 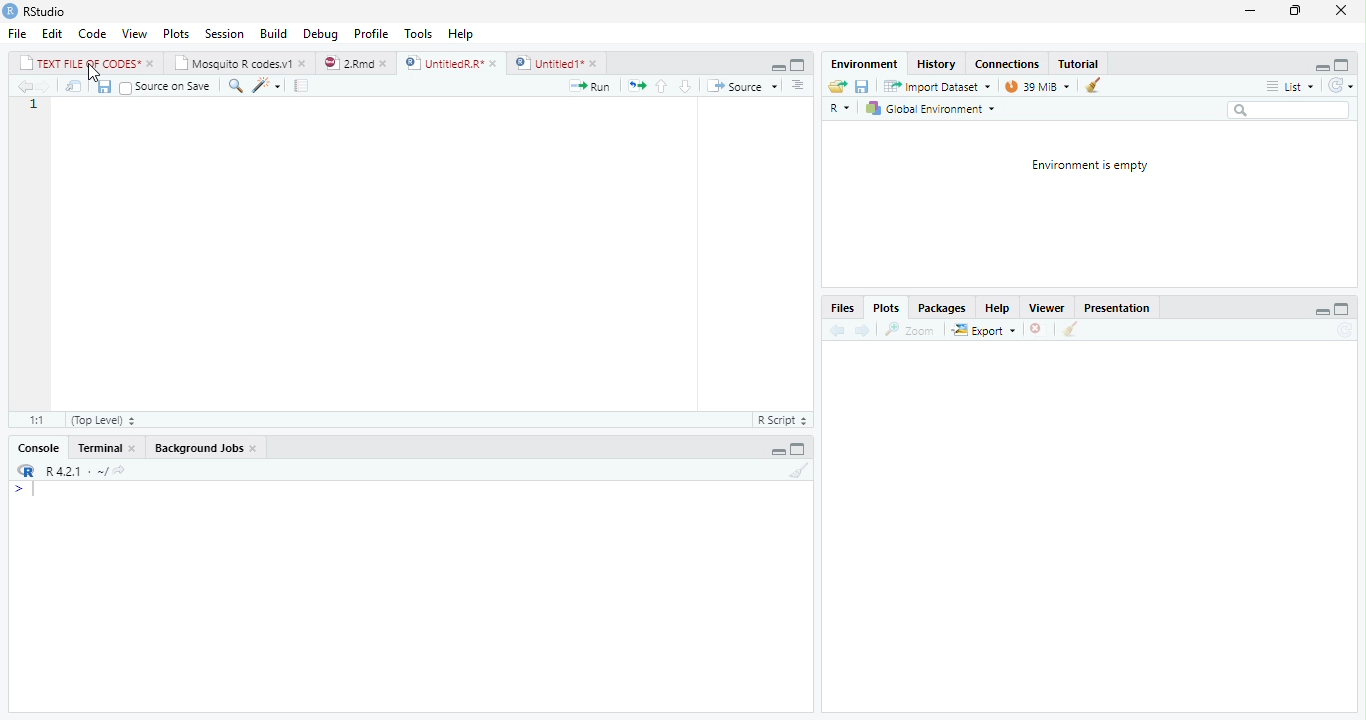 What do you see at coordinates (356, 63) in the screenshot?
I see `2.Rmd` at bounding box center [356, 63].